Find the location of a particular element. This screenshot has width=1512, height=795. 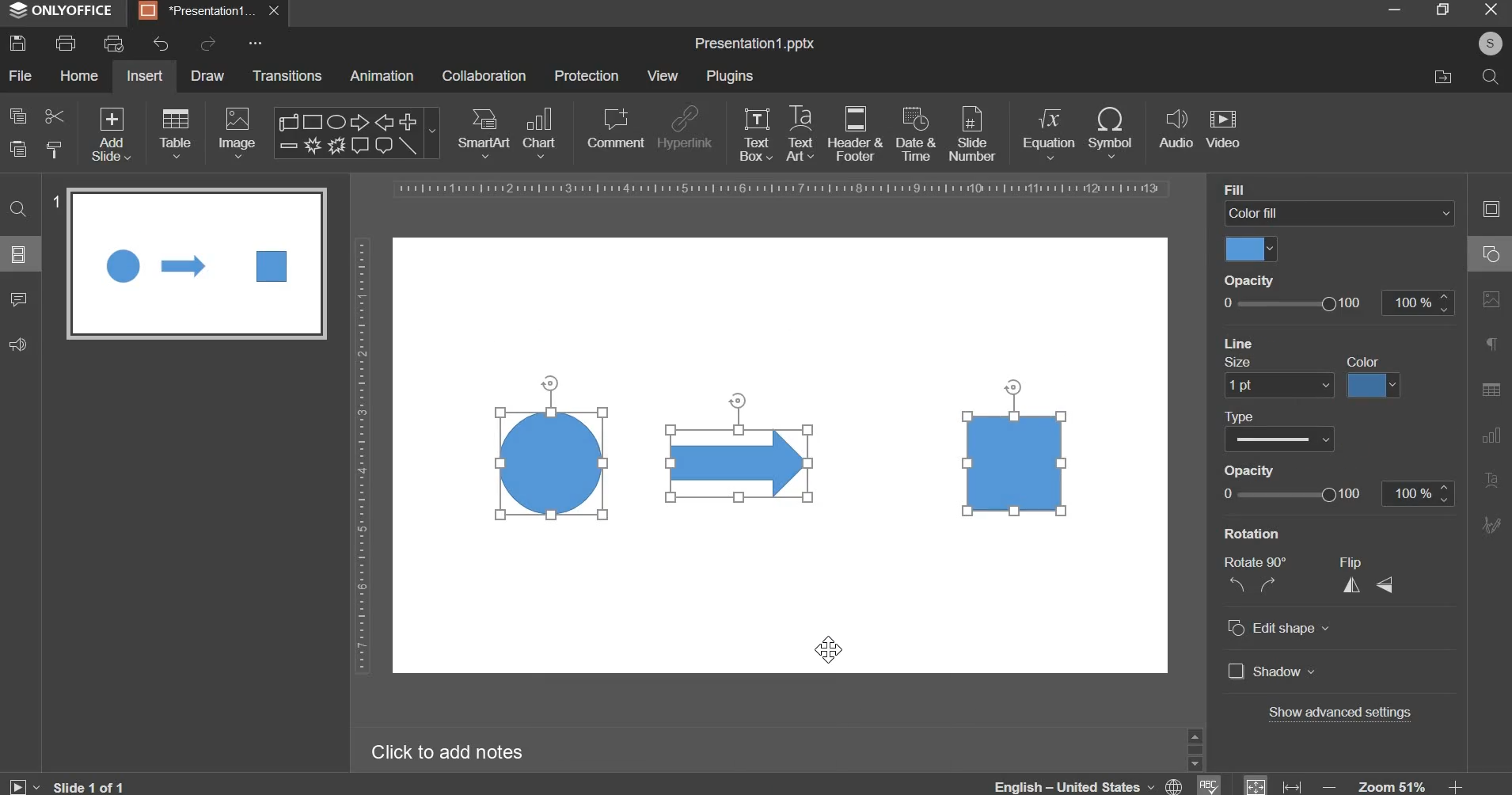

feedback is located at coordinates (17, 344).